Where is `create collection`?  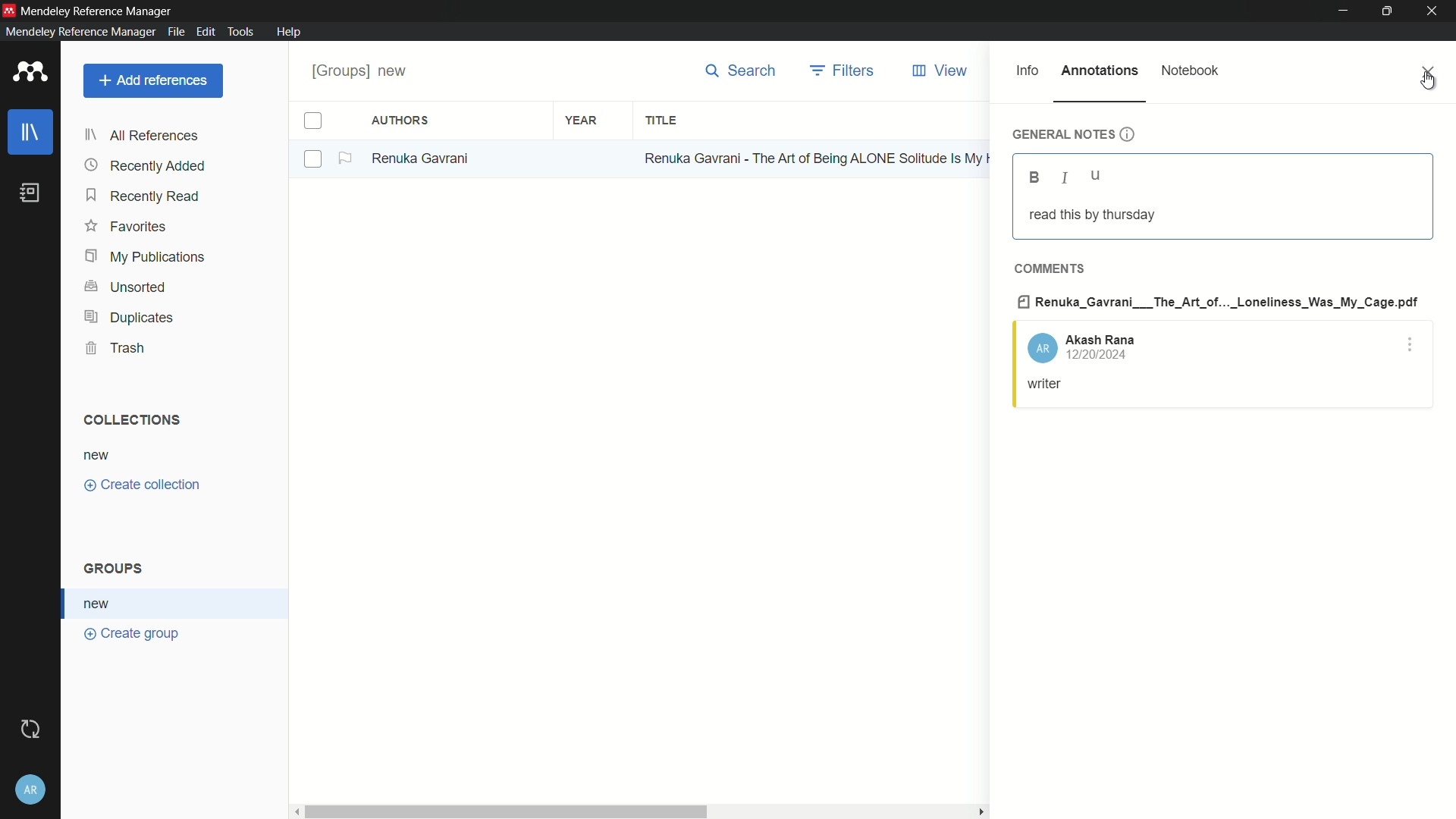
create collection is located at coordinates (145, 485).